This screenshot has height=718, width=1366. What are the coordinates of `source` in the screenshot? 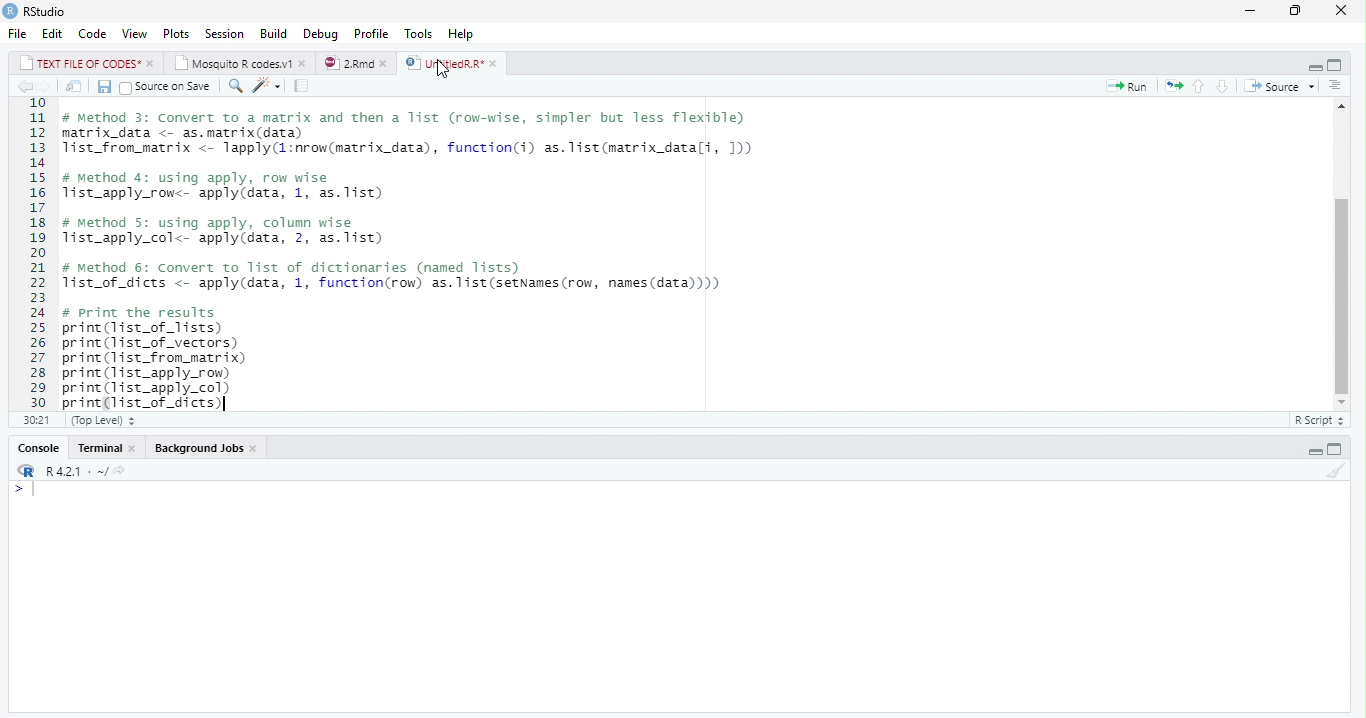 It's located at (1283, 86).